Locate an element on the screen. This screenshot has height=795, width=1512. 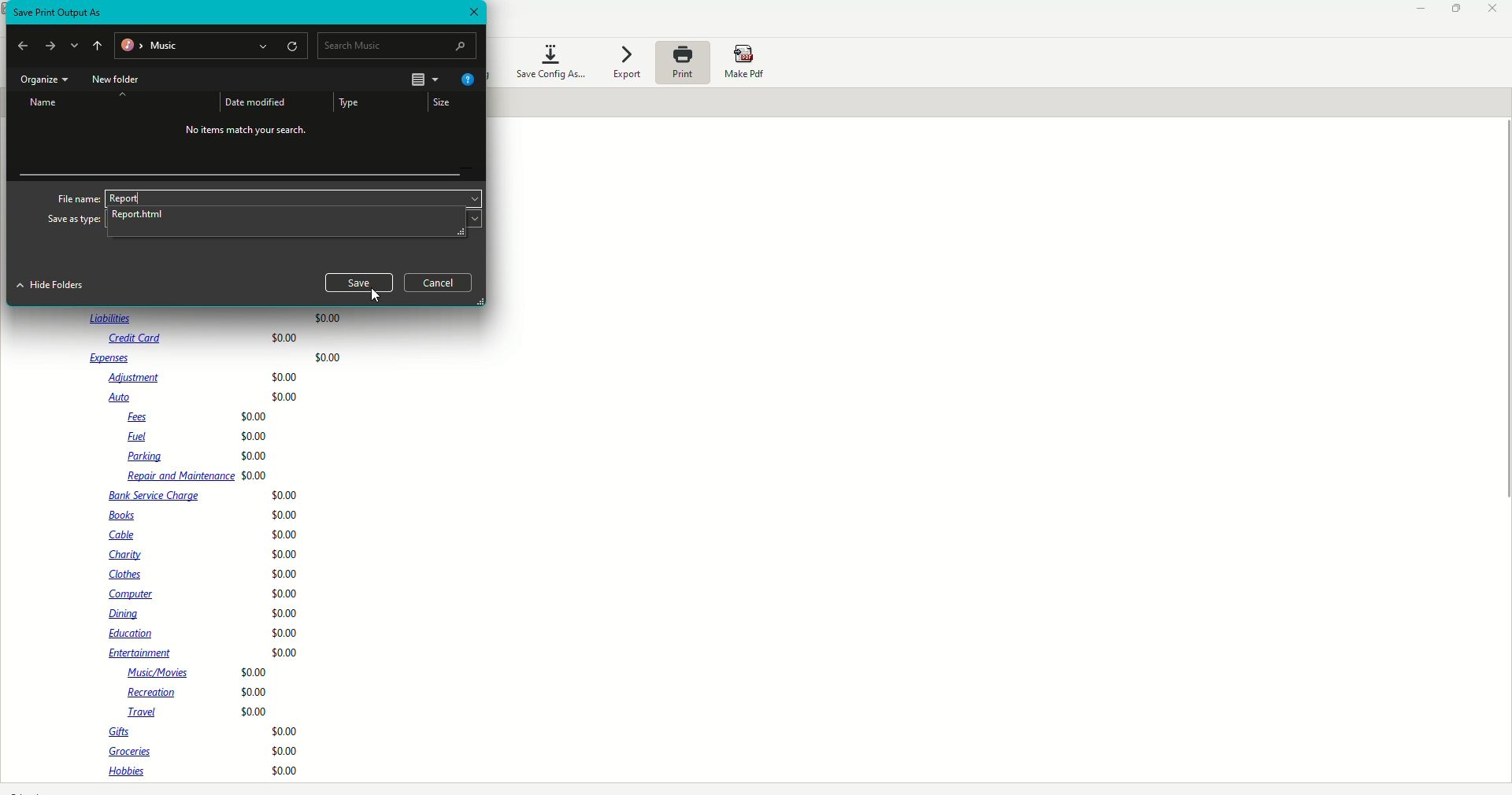
Export is located at coordinates (624, 64).